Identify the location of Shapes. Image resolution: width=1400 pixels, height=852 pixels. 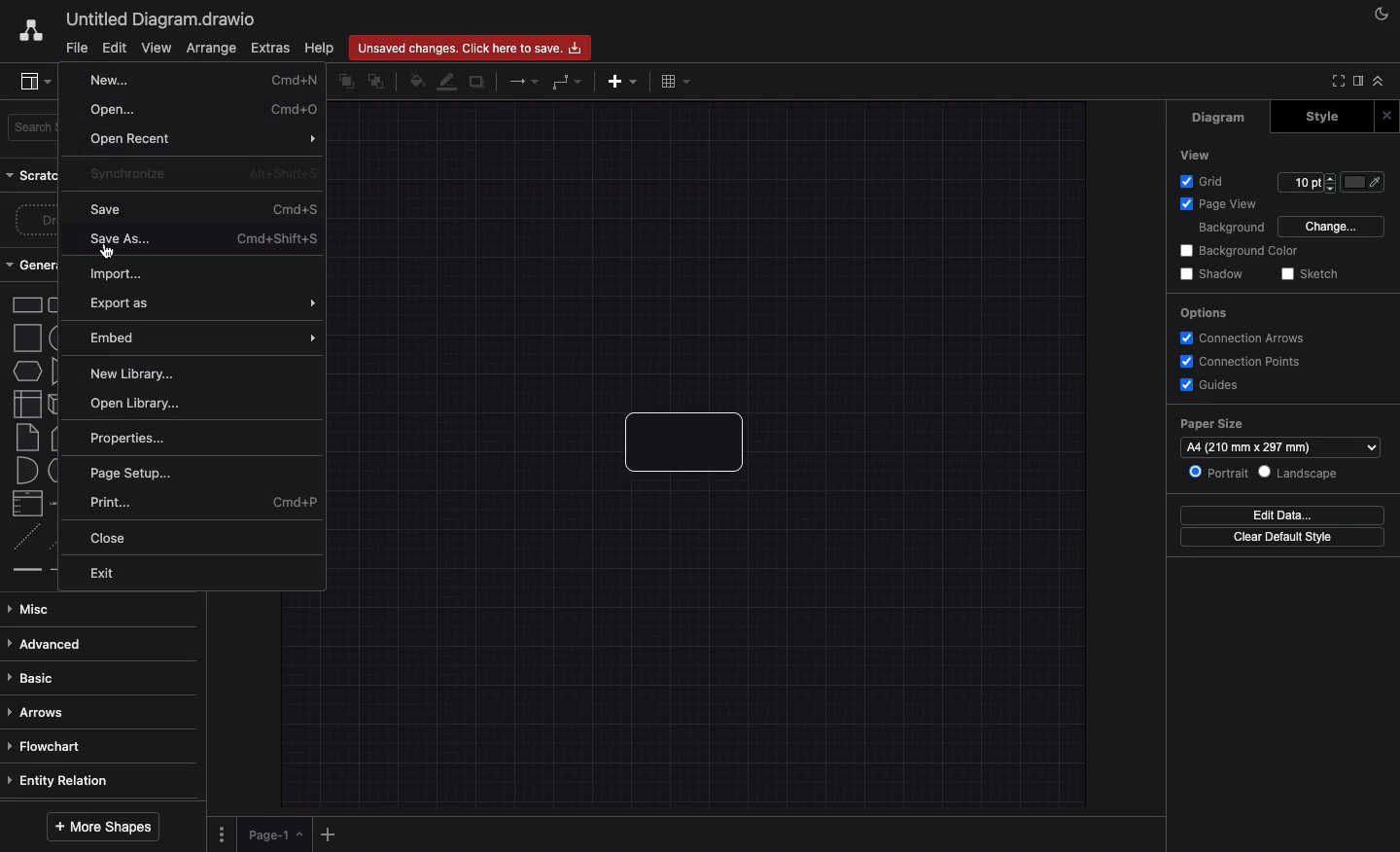
(35, 434).